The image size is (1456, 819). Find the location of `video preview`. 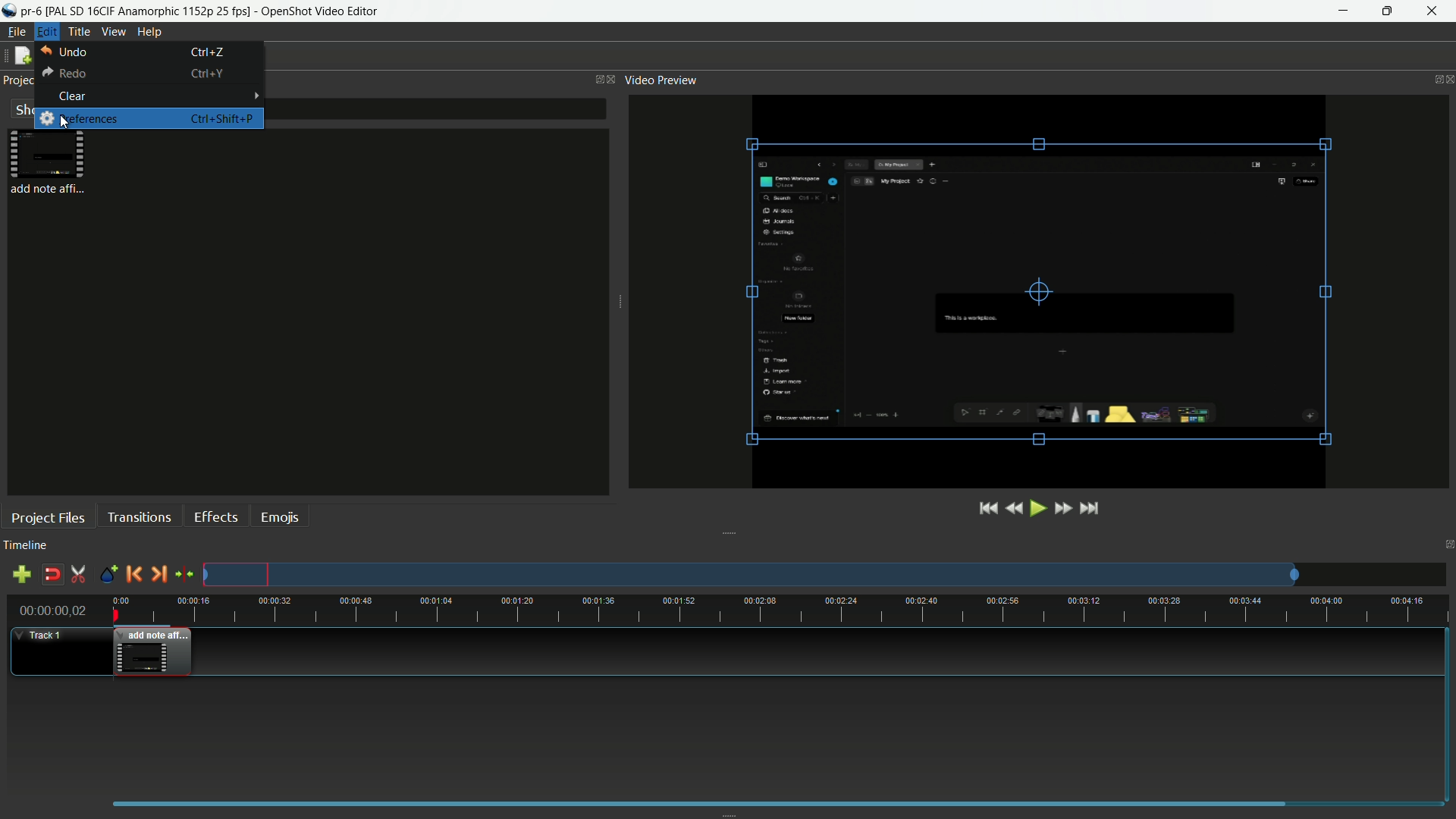

video preview is located at coordinates (1031, 293).